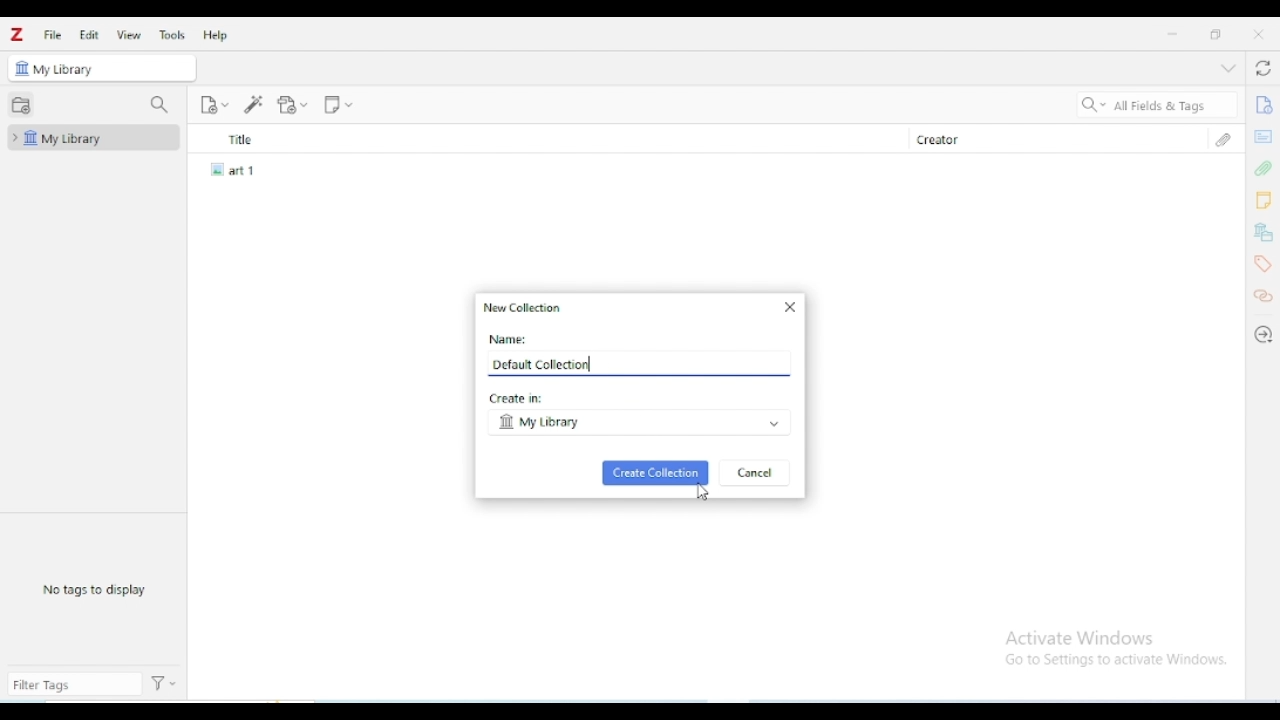 Image resolution: width=1280 pixels, height=720 pixels. I want to click on creator, so click(1043, 139).